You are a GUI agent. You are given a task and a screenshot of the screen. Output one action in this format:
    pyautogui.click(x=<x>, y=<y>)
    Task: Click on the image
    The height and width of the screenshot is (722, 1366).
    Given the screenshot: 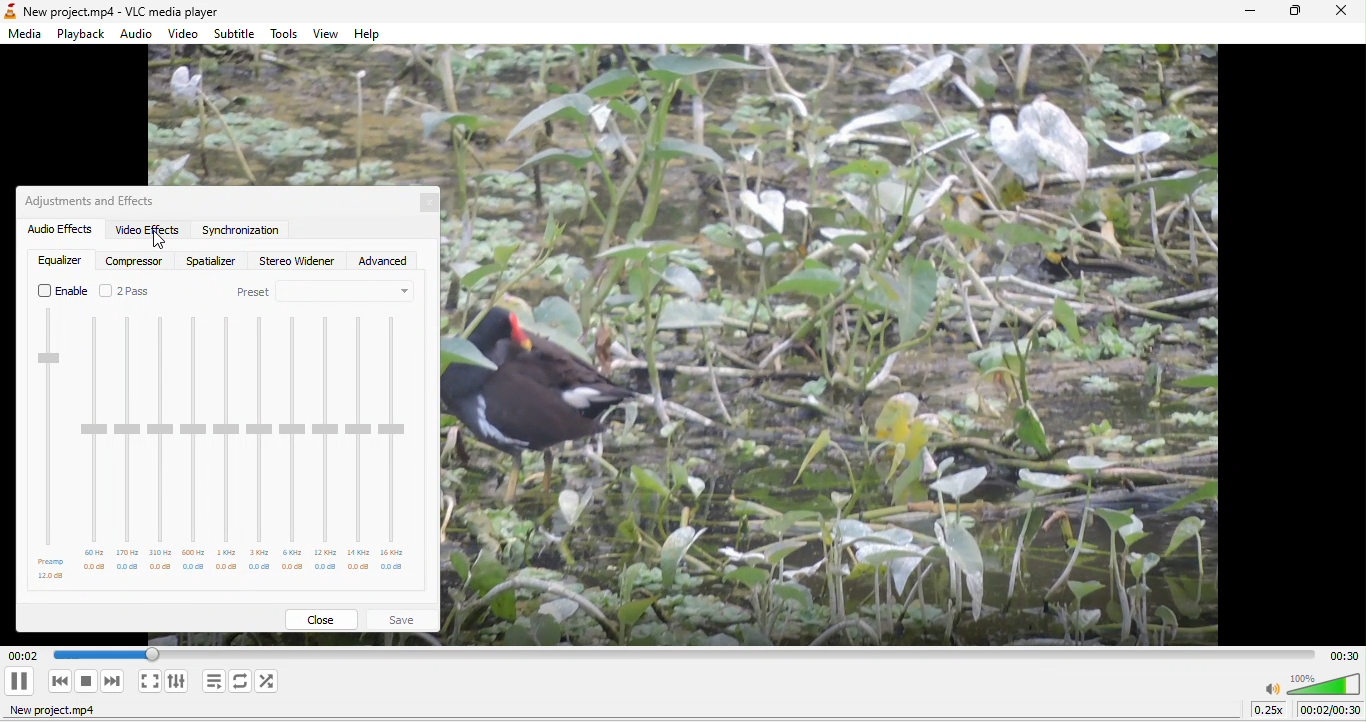 What is the action you would take?
    pyautogui.click(x=849, y=349)
    